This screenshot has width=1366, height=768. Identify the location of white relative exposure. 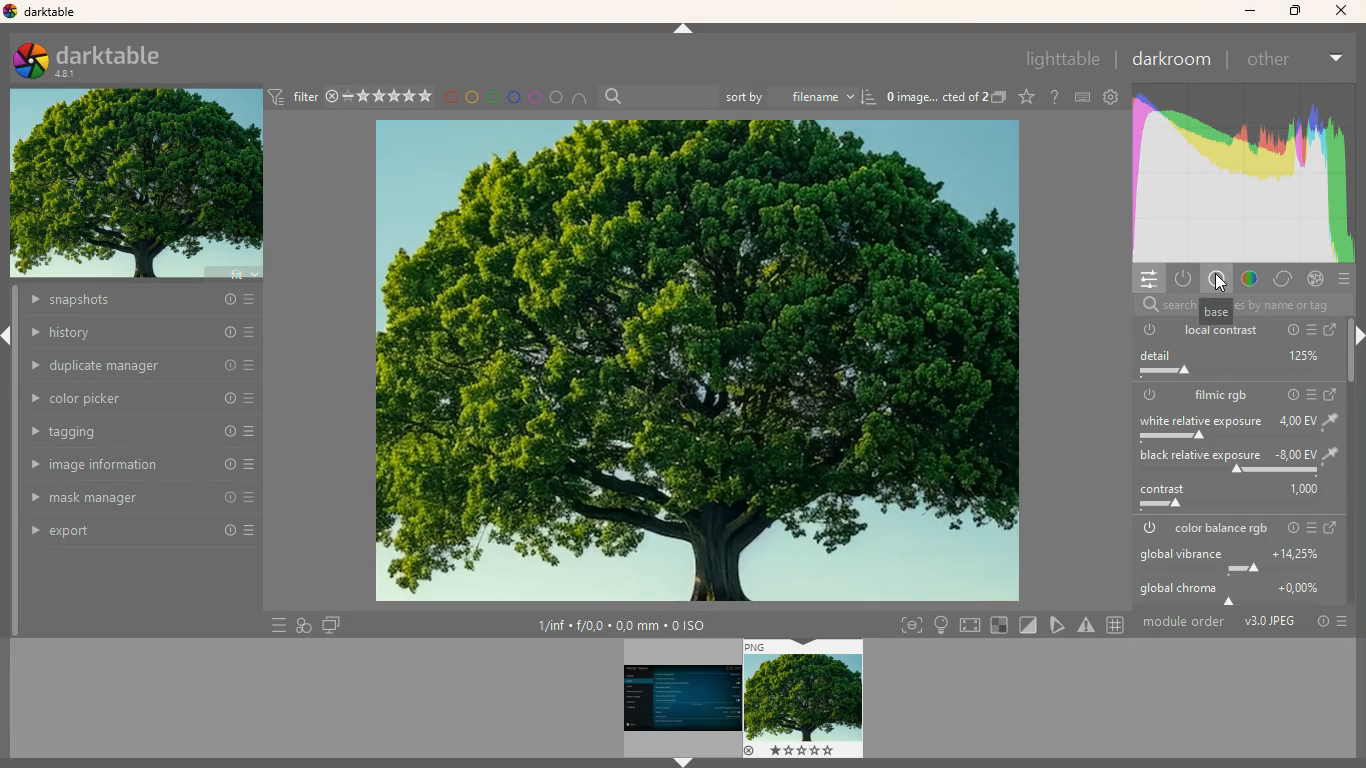
(1237, 427).